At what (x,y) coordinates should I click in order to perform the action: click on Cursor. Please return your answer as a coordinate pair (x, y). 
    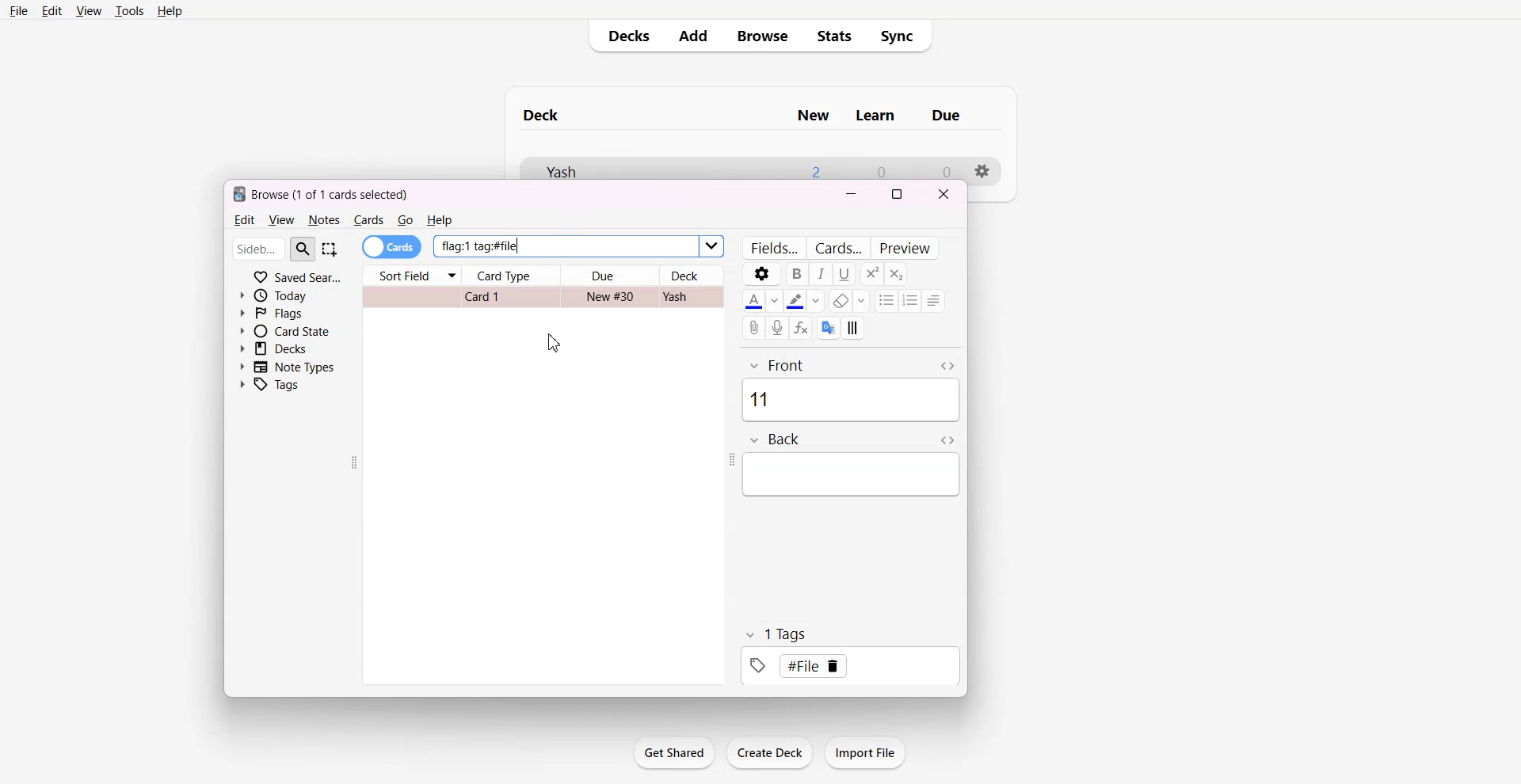
    Looking at the image, I should click on (555, 342).